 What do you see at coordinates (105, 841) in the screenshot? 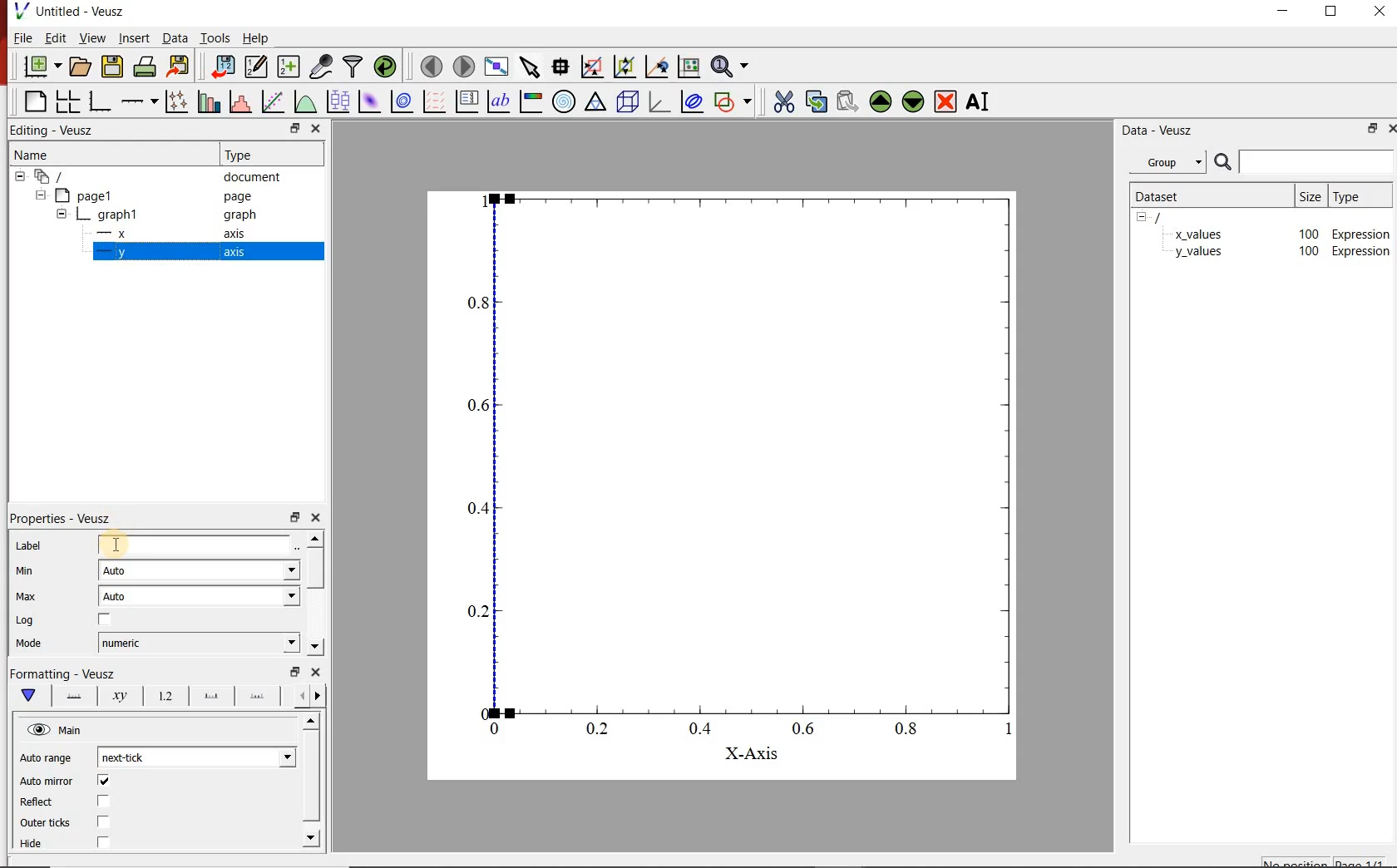
I see `checkbox` at bounding box center [105, 841].